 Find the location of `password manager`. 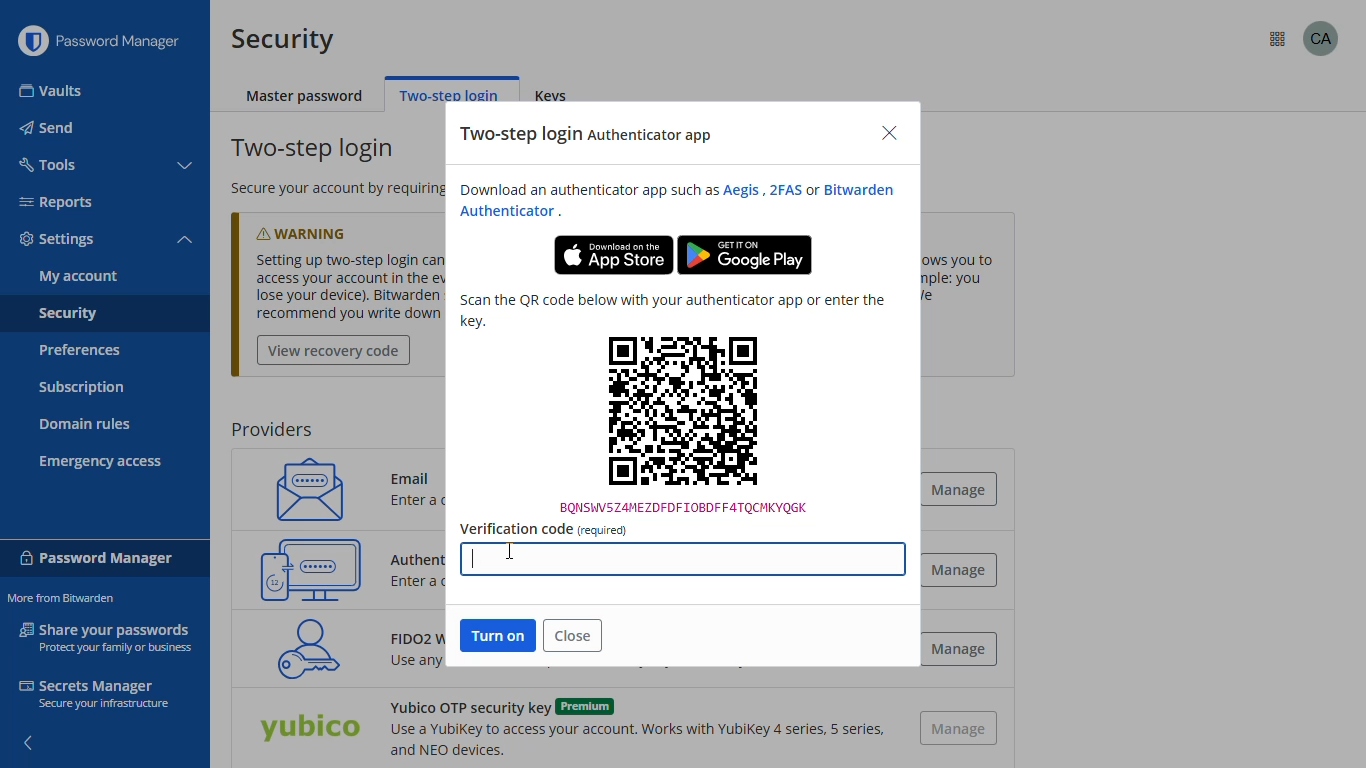

password manager is located at coordinates (97, 556).